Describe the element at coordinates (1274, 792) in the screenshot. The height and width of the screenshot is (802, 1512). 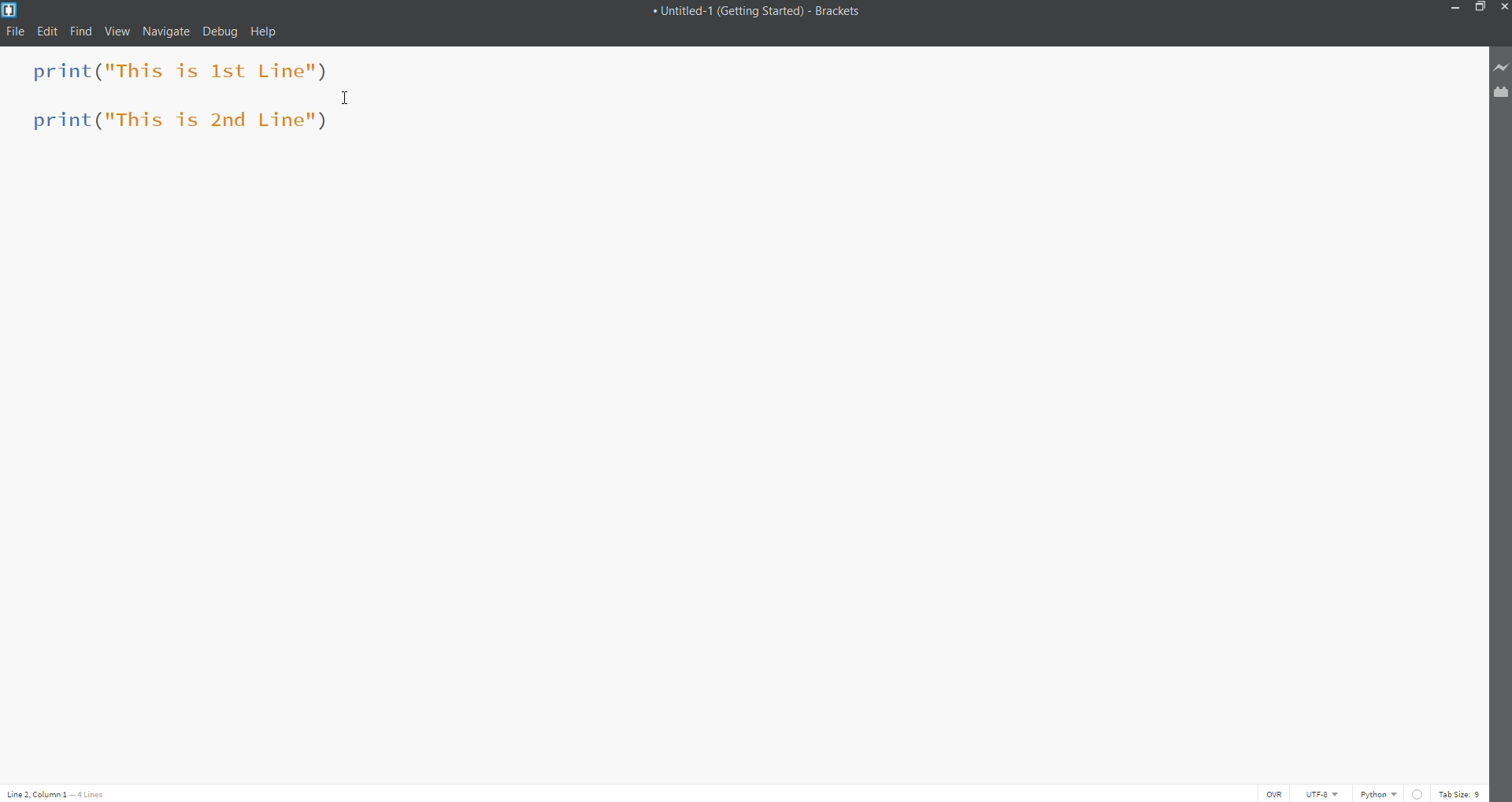
I see `OVR` at that location.